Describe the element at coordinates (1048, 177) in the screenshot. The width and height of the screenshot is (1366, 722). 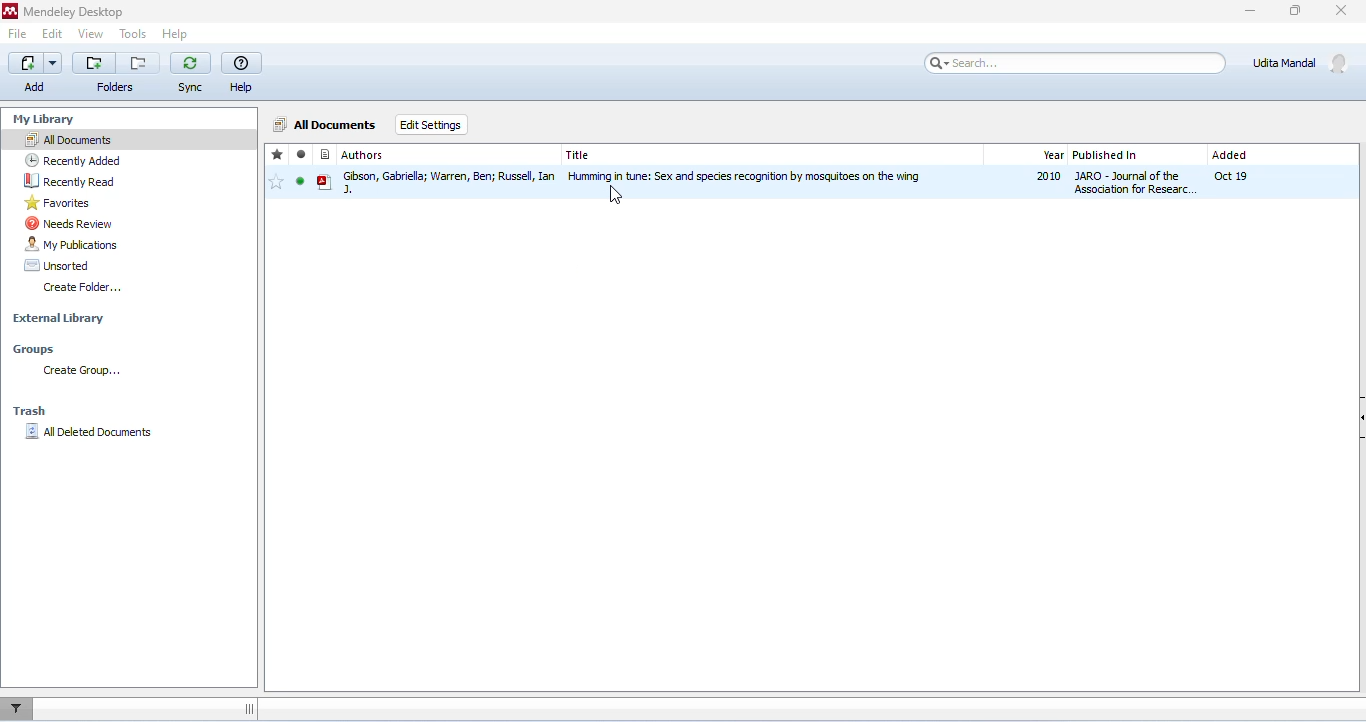
I see `2010` at that location.